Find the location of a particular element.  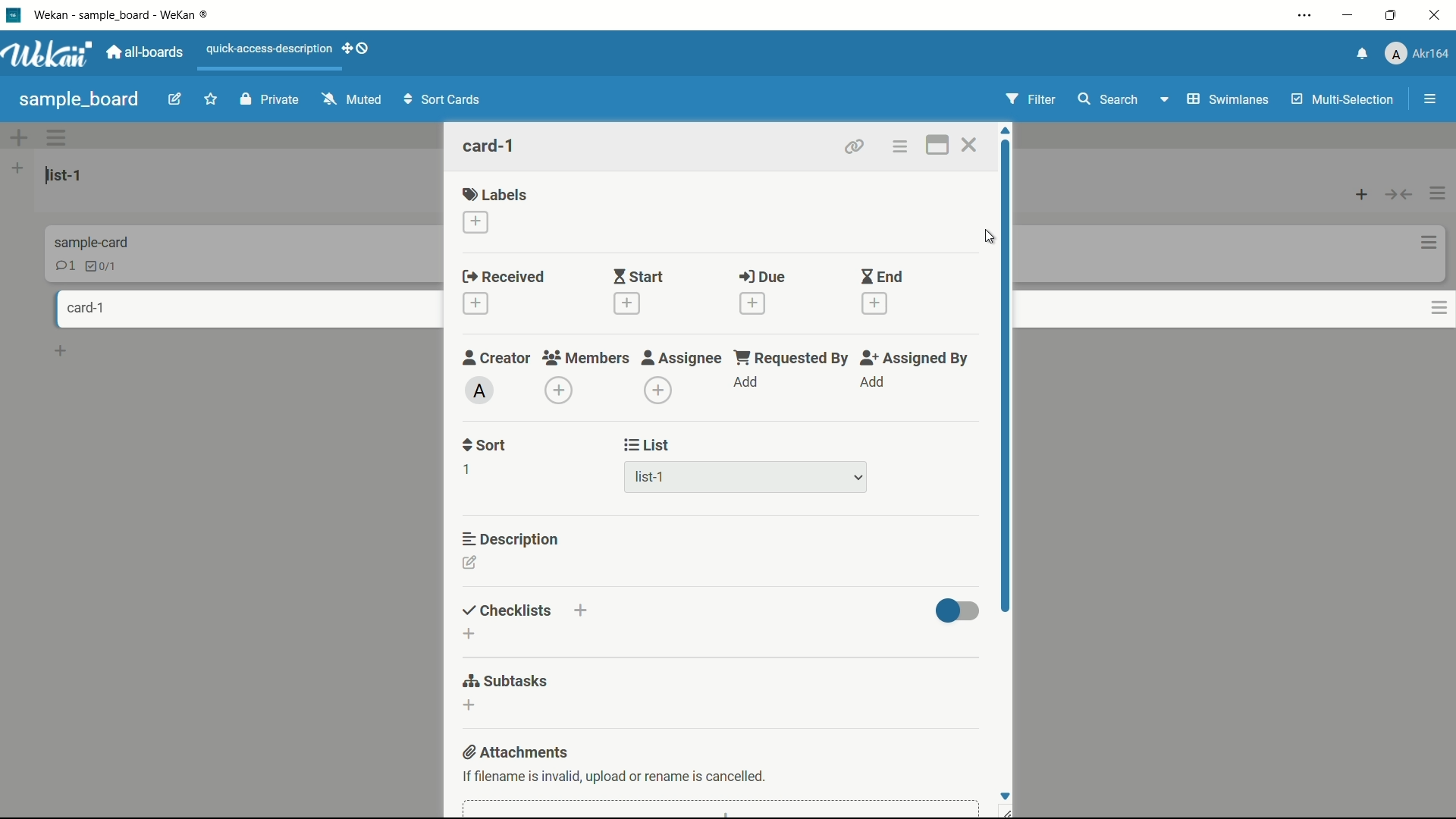

add date is located at coordinates (475, 302).